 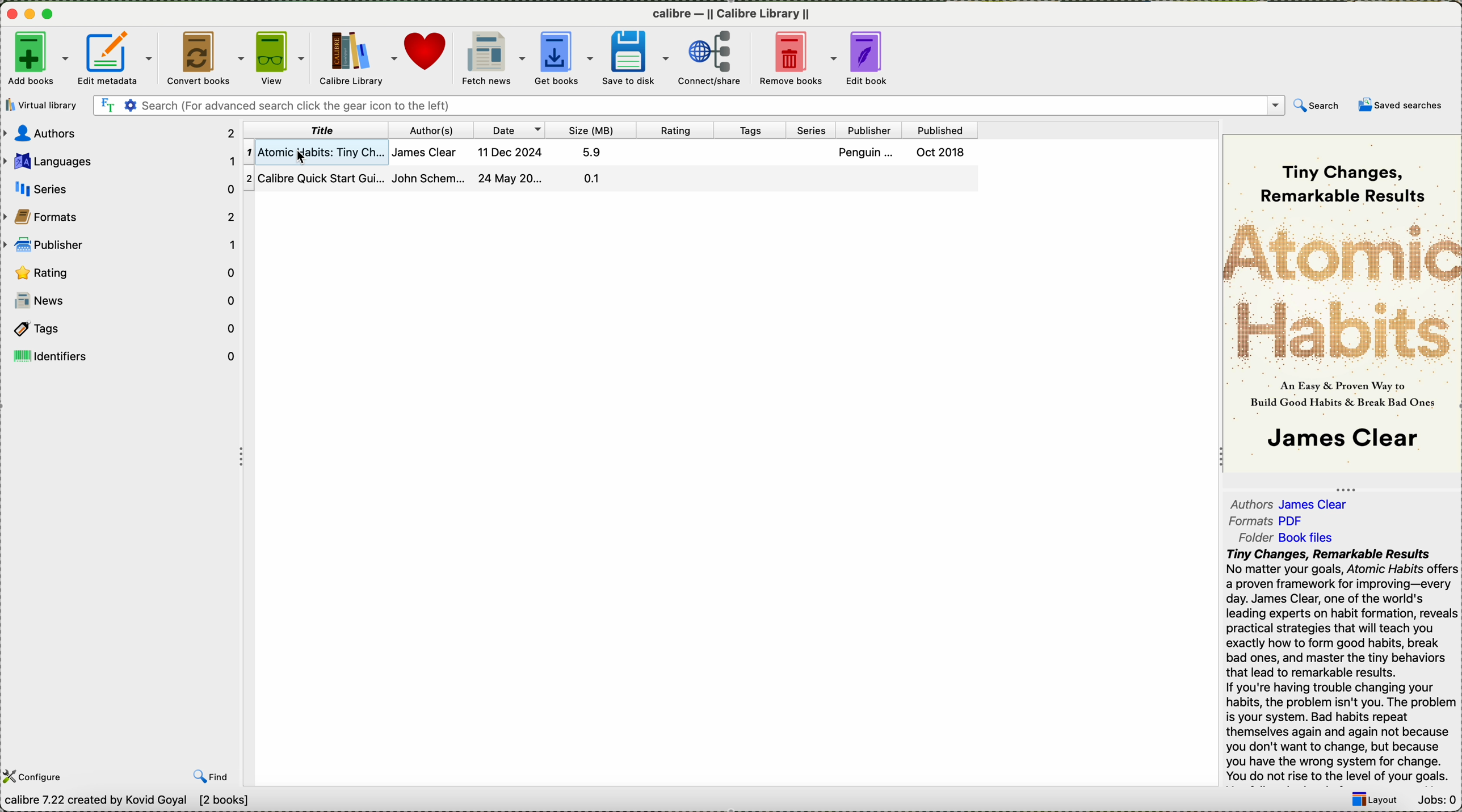 I want to click on Tiny Changes, Remarkable Results

No matter your goals, Atomic Habits offers
a proven framework for improving—every
day. James Clear, one of the world's
leading experts on habit formation, reveals
practical strategies that will teach you
exactly how to form good habits, break
bad ones, and master the tiny behaviors
that lead to remarkable results.

If you're having trouble changing your
habits, the problem isn't you. The problem
is your system. Bad habits repeat
themselves again and again not because
you don't want to change, but because
you have the wrong system for change.
You do not rise to the level of your goals., so click(x=1341, y=665).